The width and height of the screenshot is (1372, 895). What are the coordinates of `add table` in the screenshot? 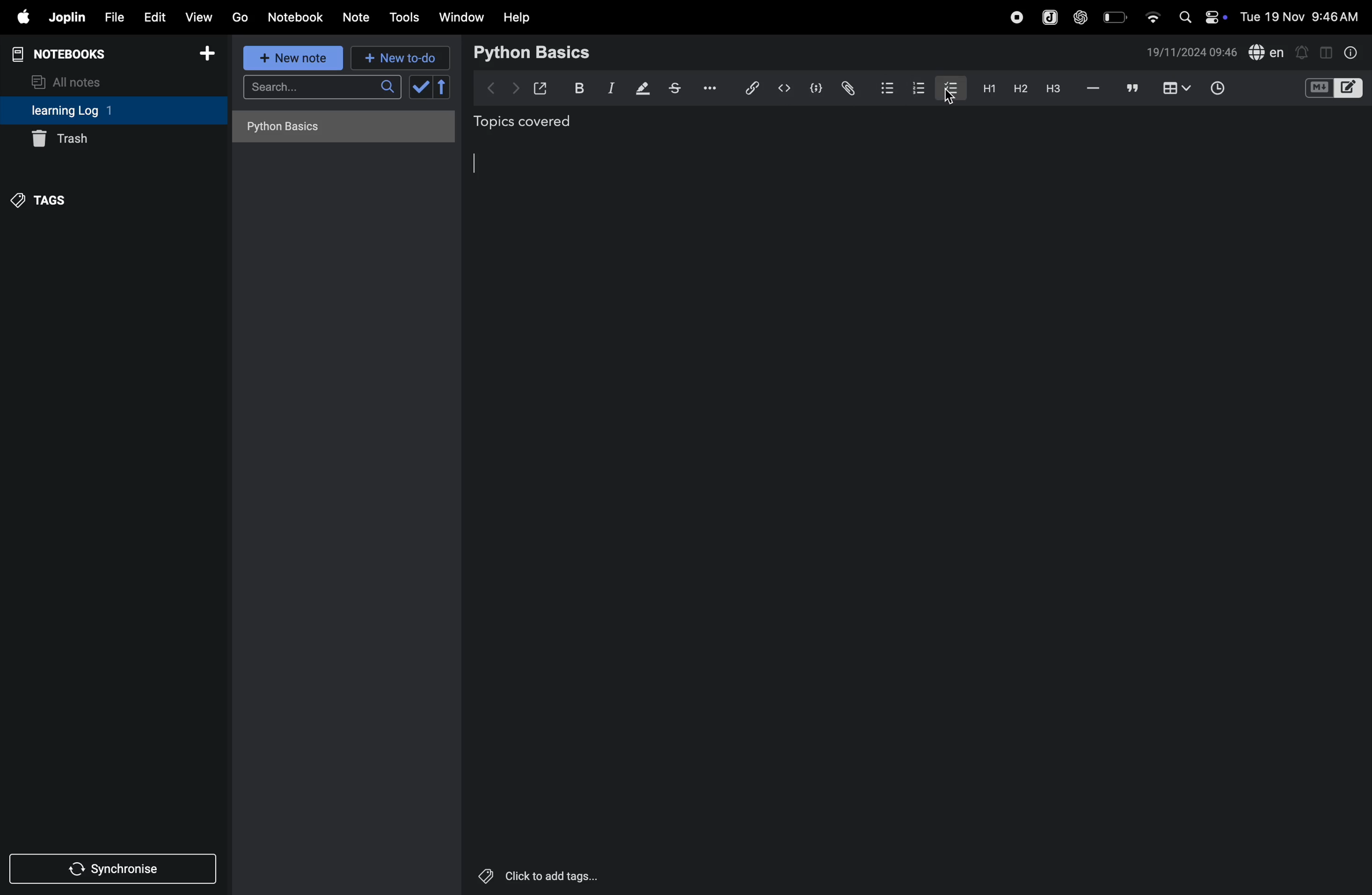 It's located at (1174, 89).